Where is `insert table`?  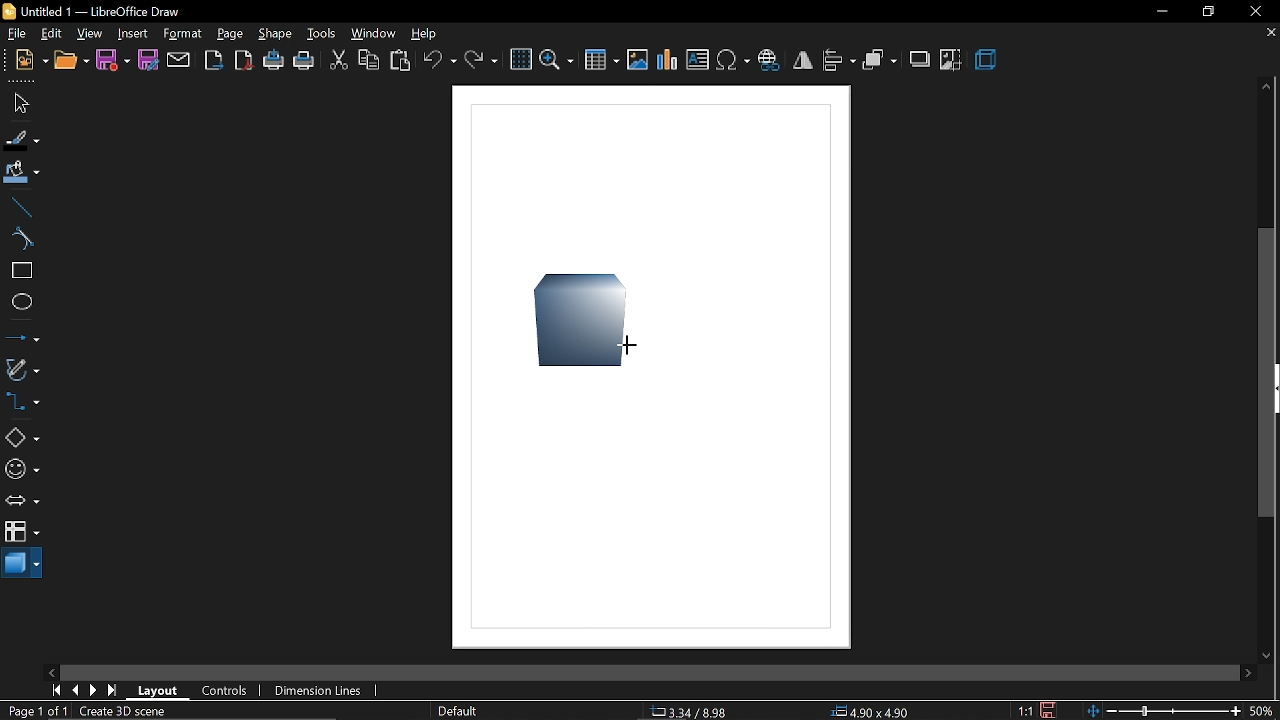
insert table is located at coordinates (602, 60).